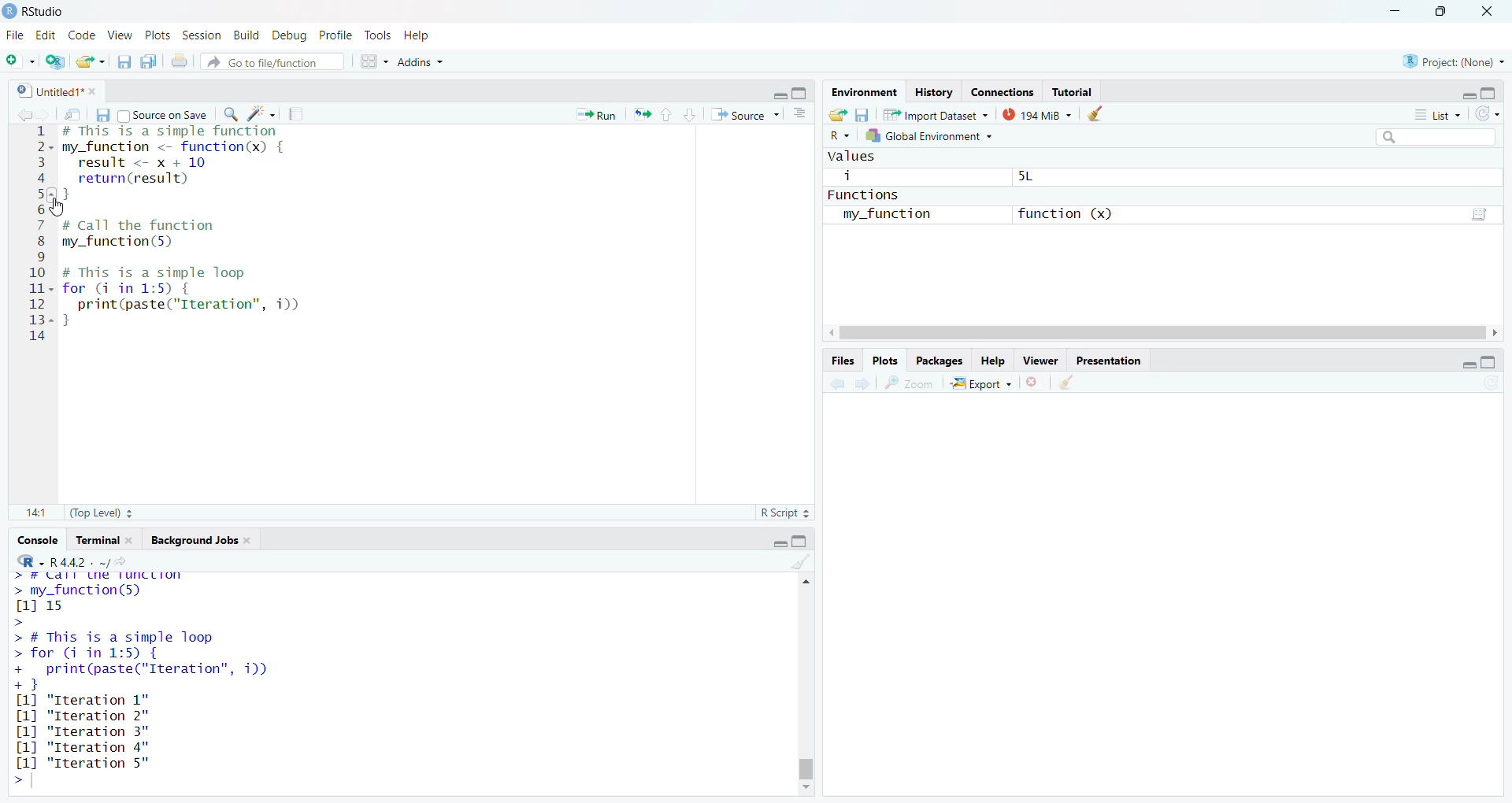  What do you see at coordinates (838, 115) in the screenshot?
I see `load workspace` at bounding box center [838, 115].